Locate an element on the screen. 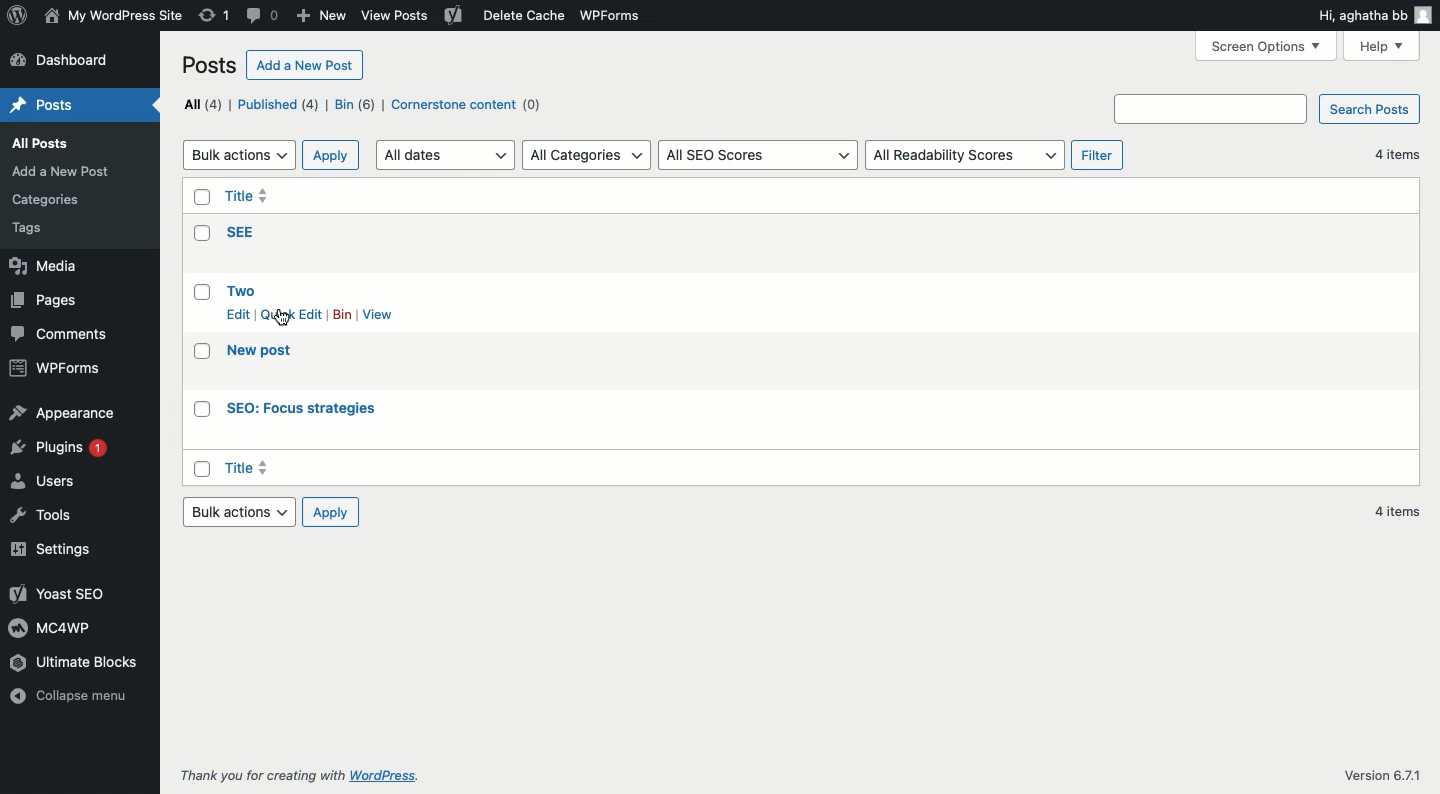 The width and height of the screenshot is (1440, 794). Tools is located at coordinates (41, 519).